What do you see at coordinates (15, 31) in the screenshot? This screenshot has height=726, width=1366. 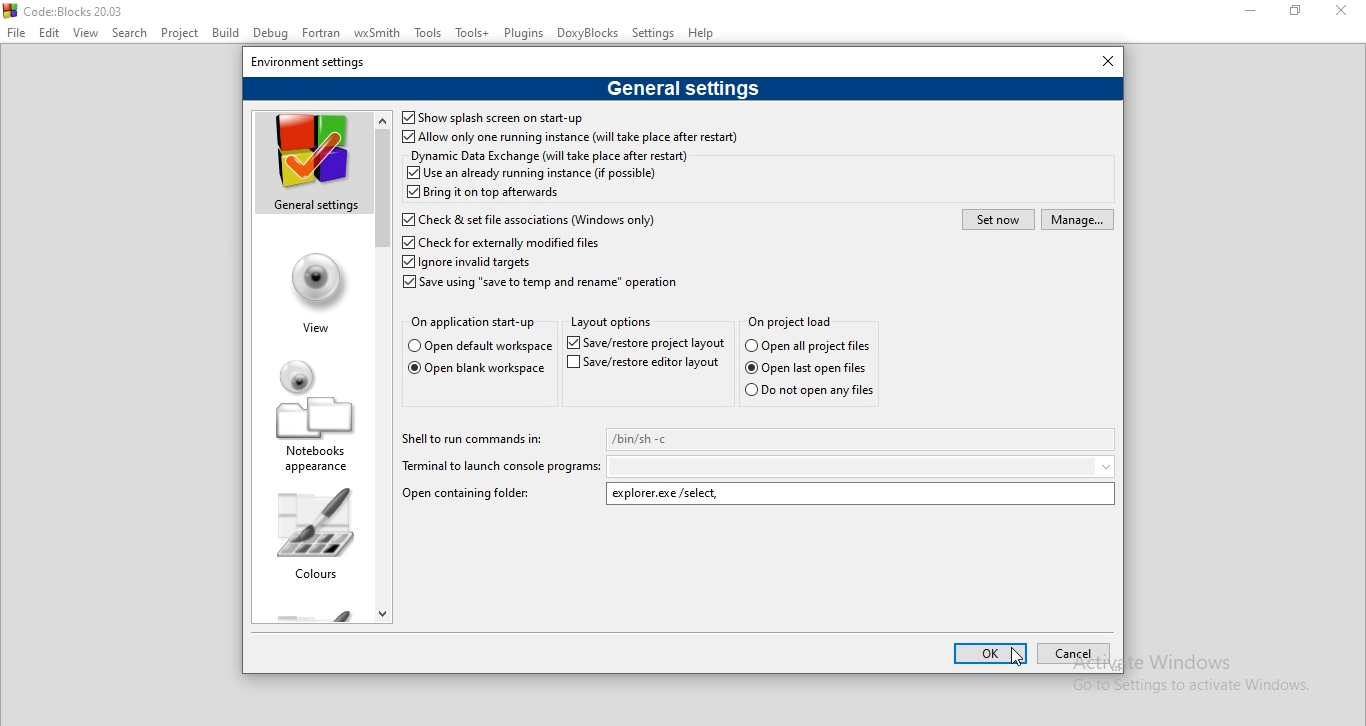 I see `file` at bounding box center [15, 31].